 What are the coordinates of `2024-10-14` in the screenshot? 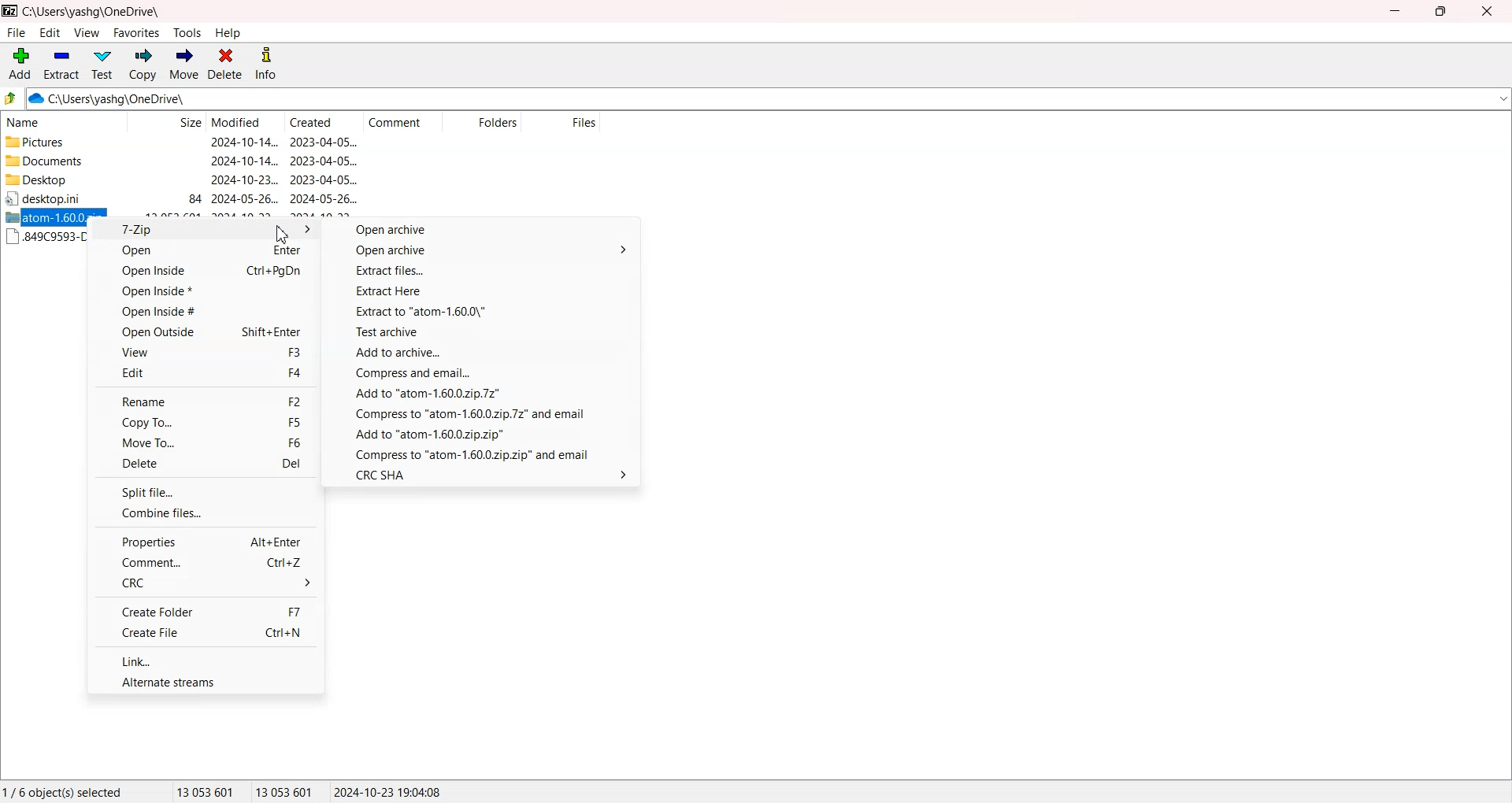 It's located at (243, 142).